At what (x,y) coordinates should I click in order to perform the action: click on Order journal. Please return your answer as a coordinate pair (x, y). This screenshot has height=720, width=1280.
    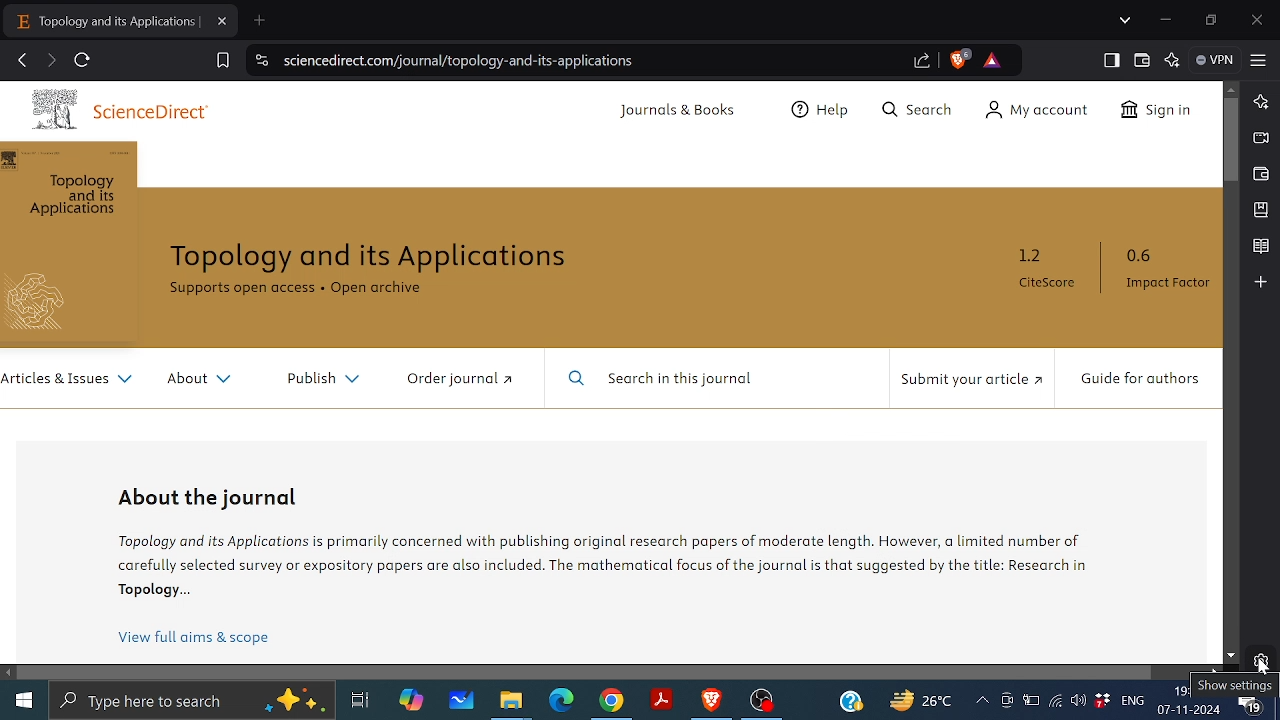
    Looking at the image, I should click on (460, 379).